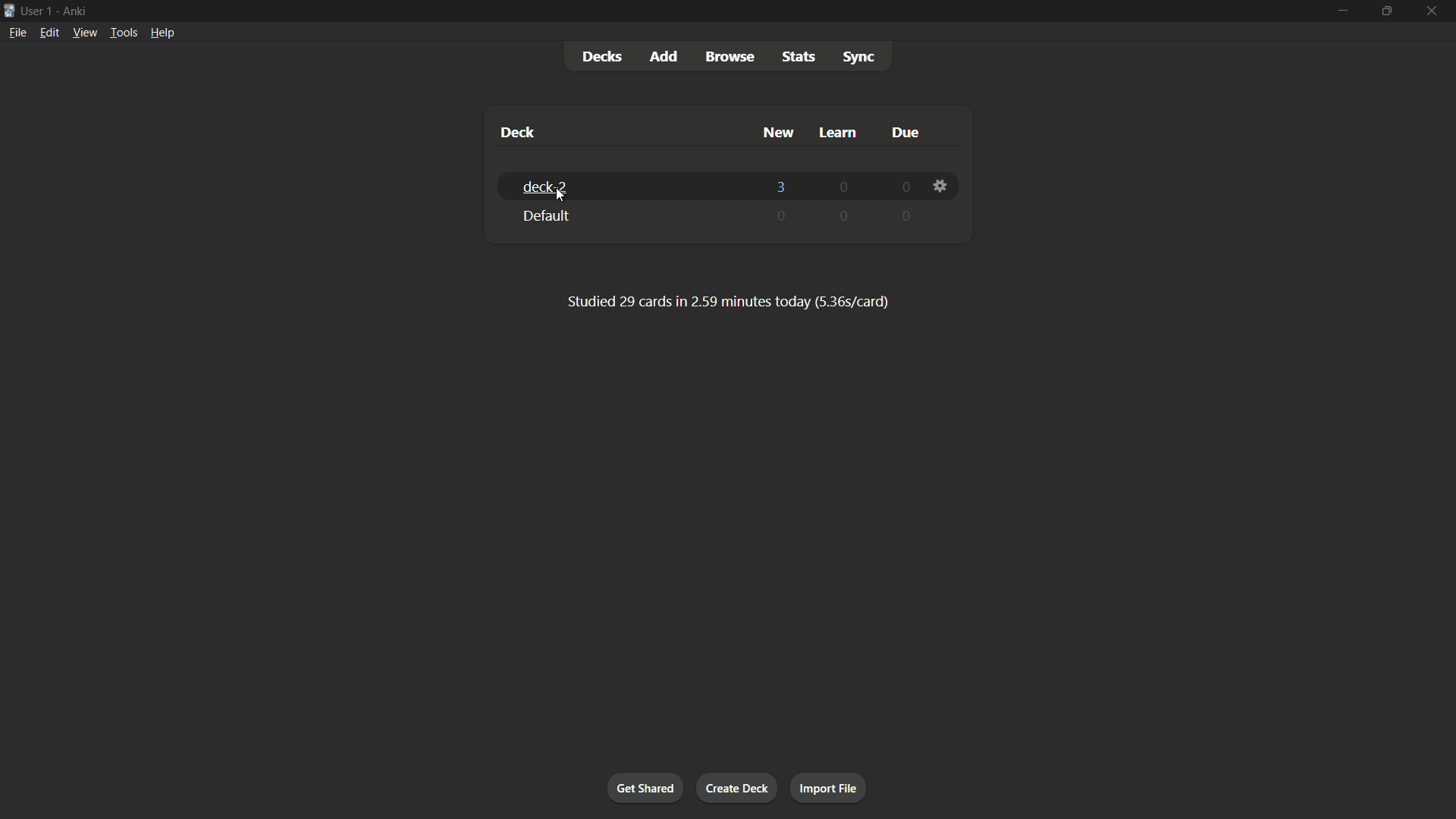  Describe the element at coordinates (1435, 11) in the screenshot. I see `close app` at that location.